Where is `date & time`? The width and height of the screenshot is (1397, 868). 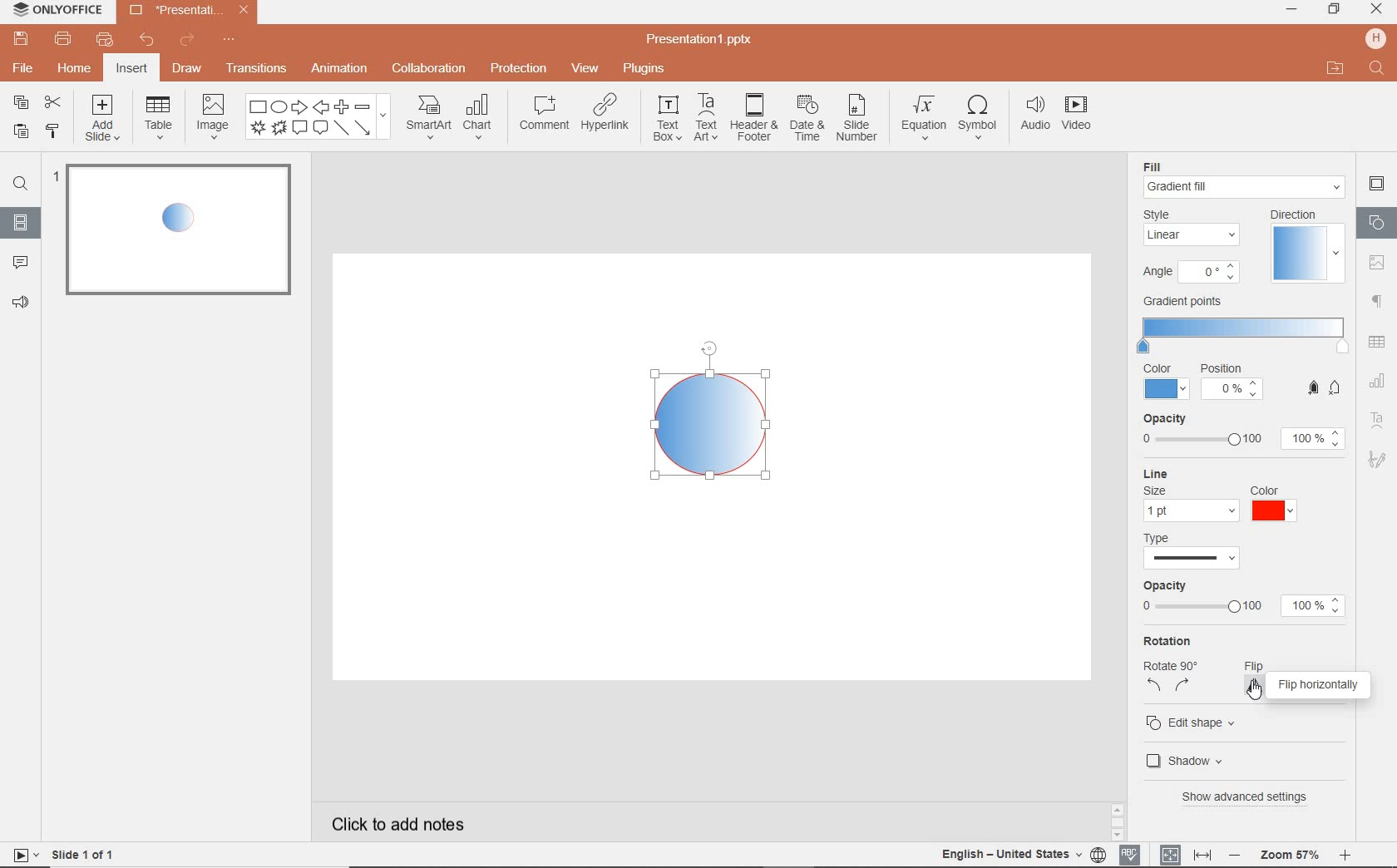 date & time is located at coordinates (807, 119).